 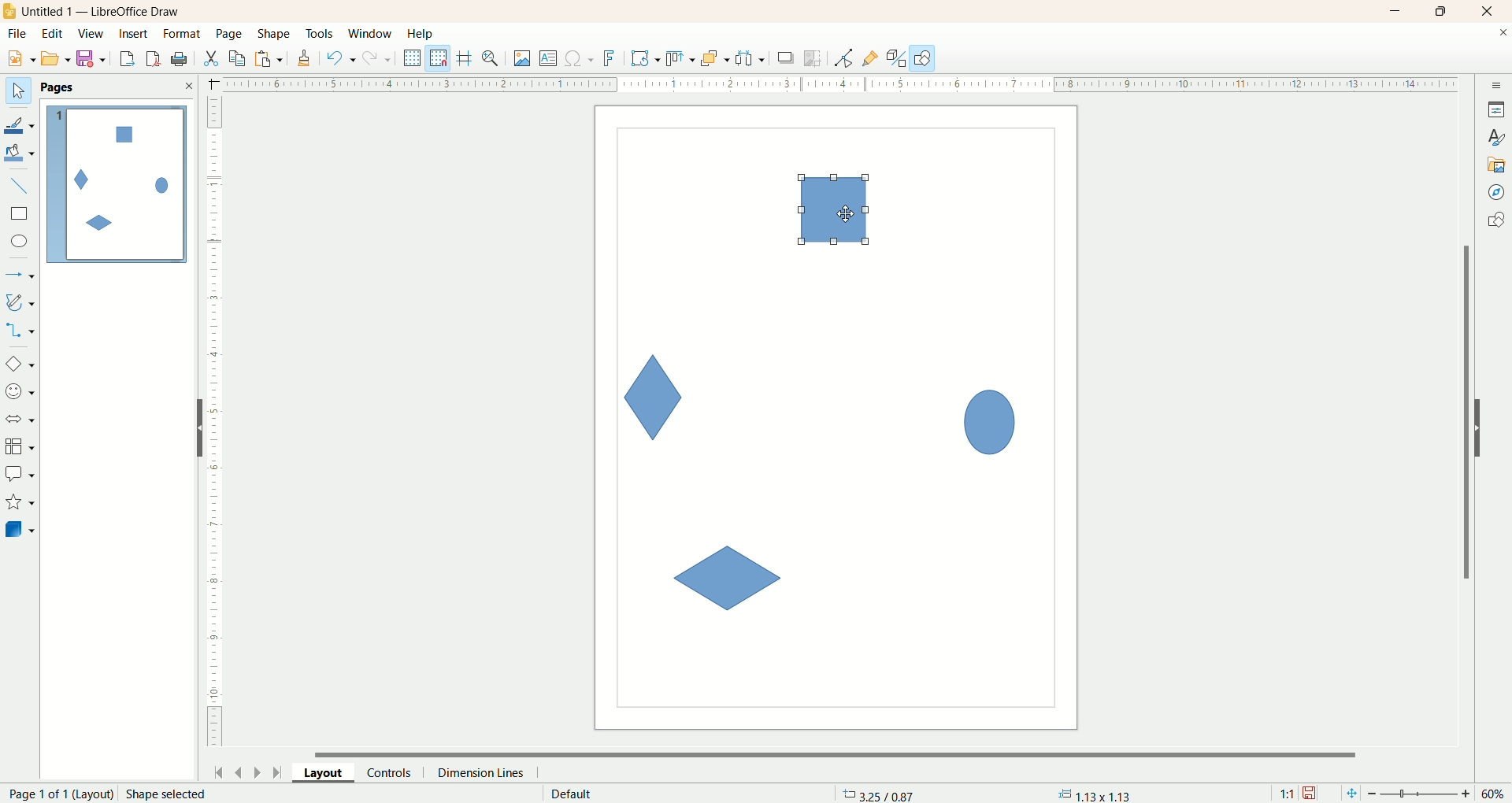 What do you see at coordinates (786, 57) in the screenshot?
I see `shadow` at bounding box center [786, 57].